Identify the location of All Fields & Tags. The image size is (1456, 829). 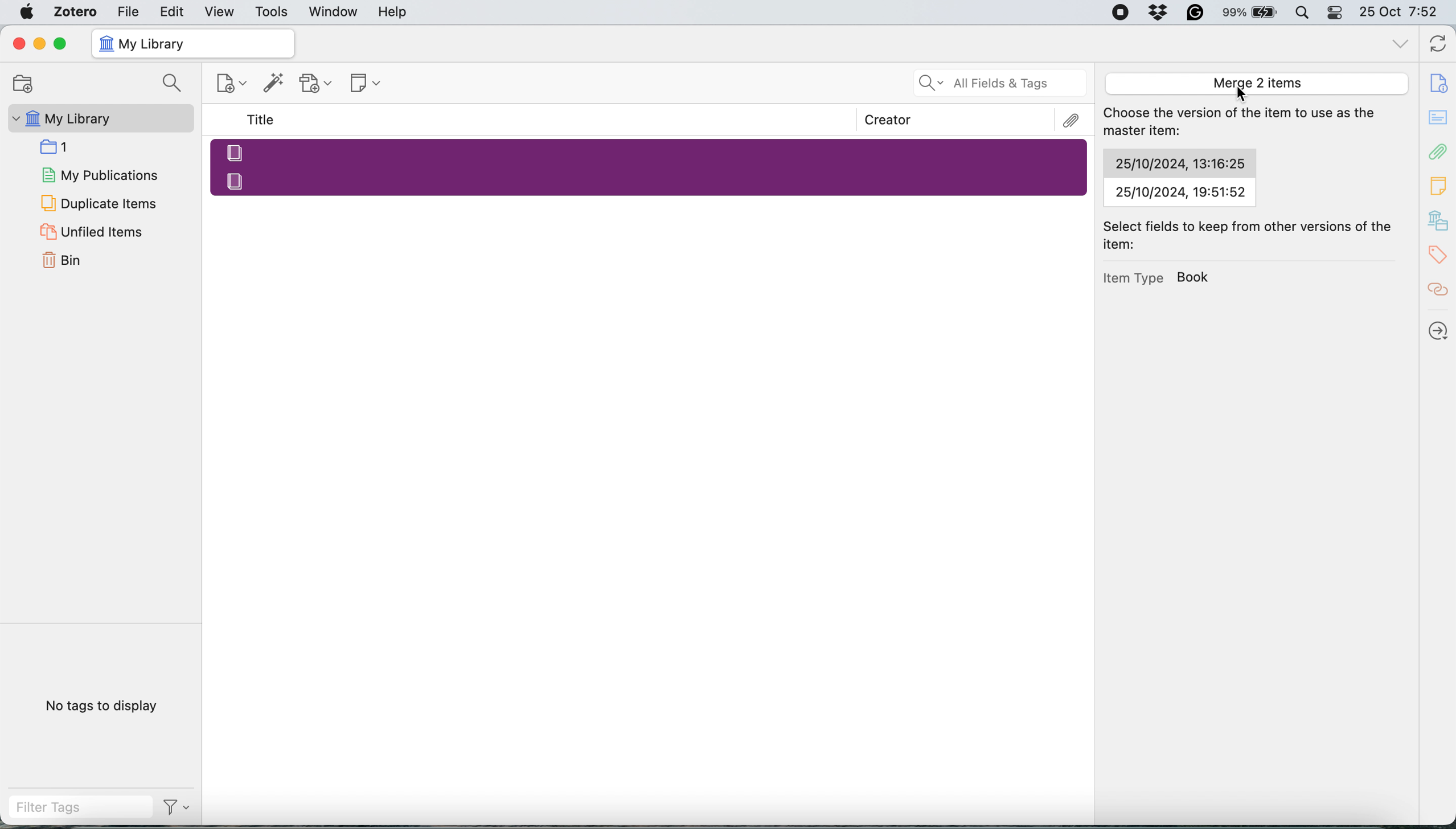
(1001, 83).